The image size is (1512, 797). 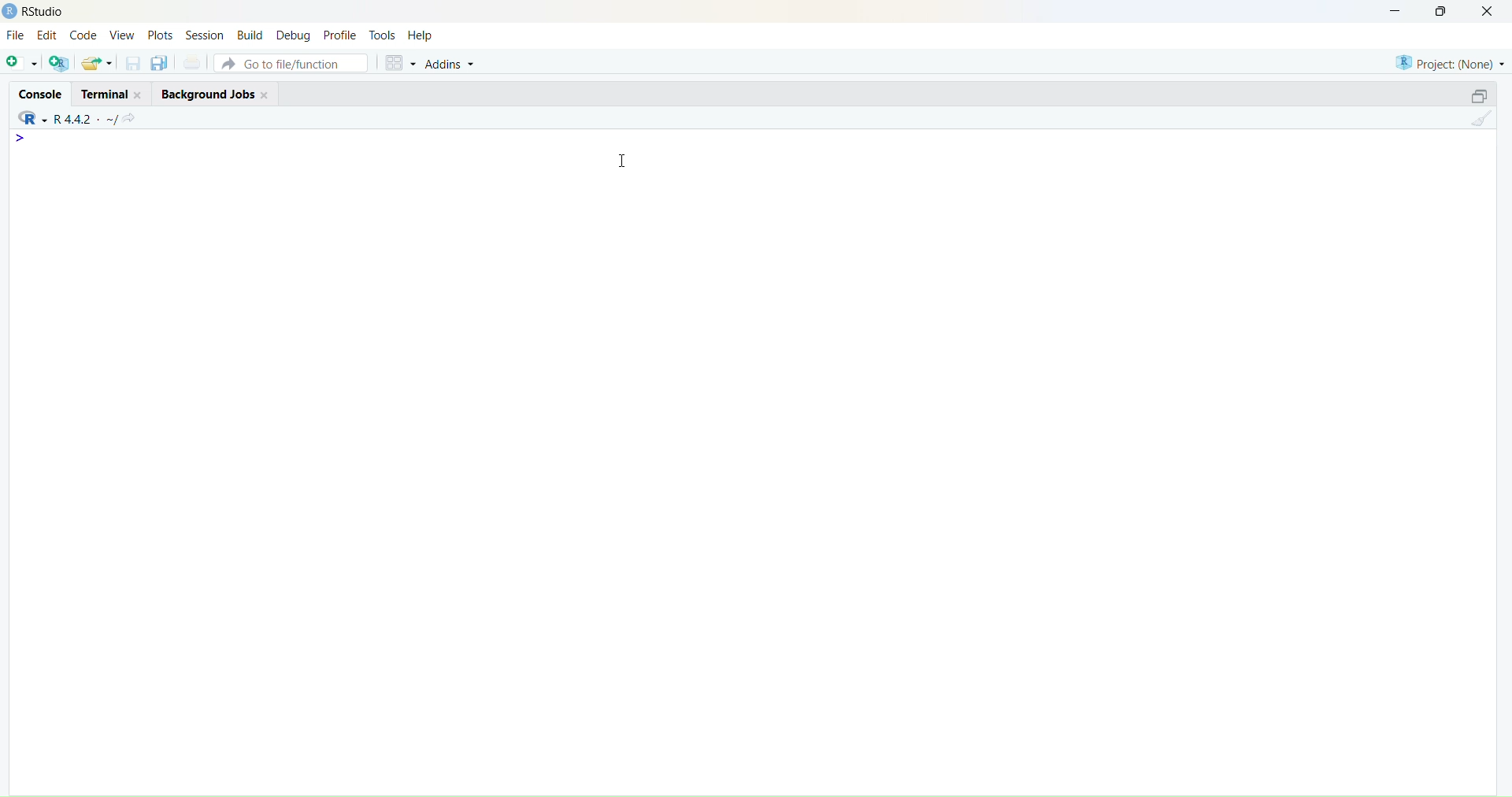 What do you see at coordinates (455, 63) in the screenshot?
I see `Addins` at bounding box center [455, 63].